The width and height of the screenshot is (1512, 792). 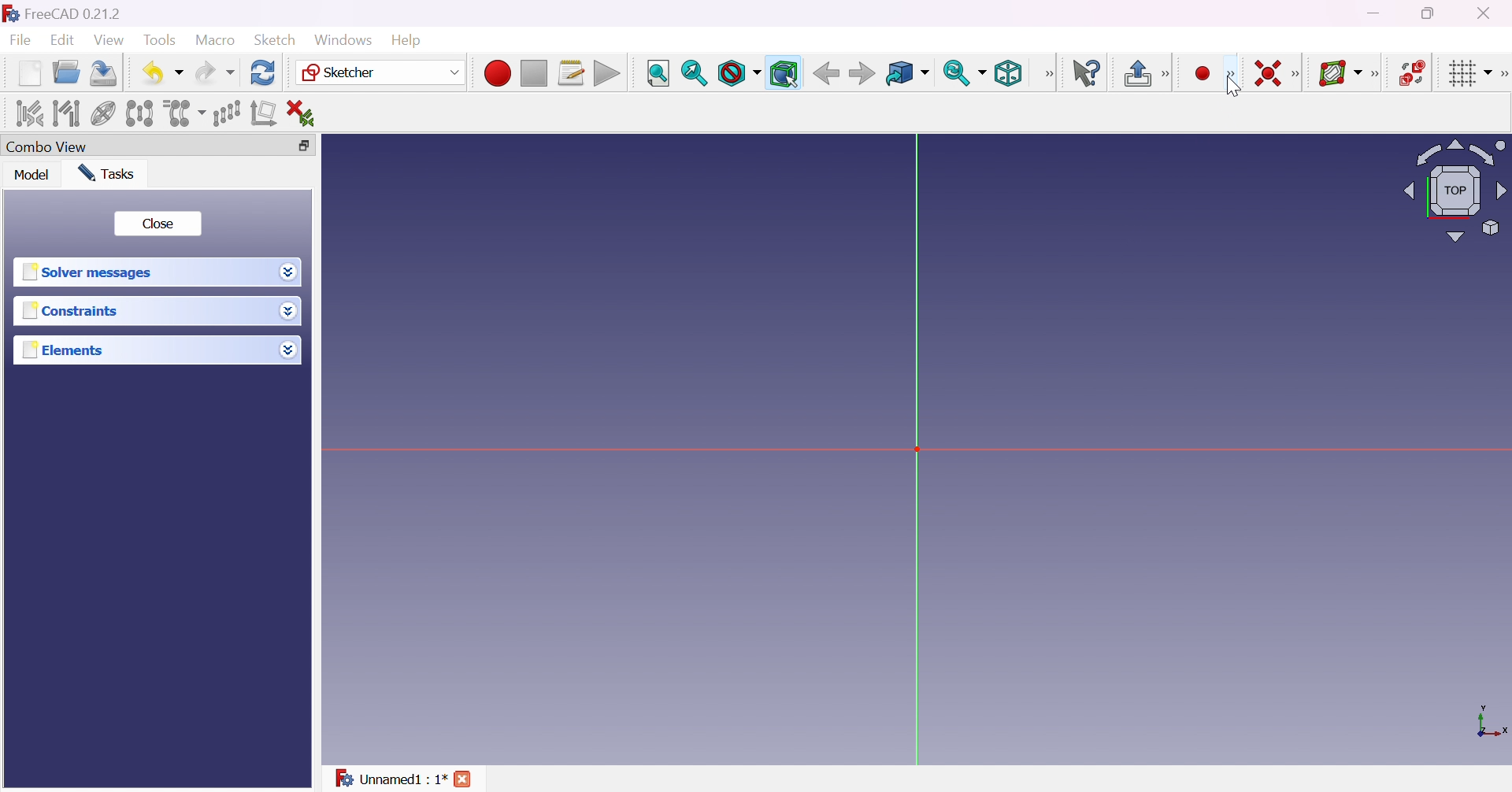 What do you see at coordinates (1050, 73) in the screenshot?
I see `View` at bounding box center [1050, 73].